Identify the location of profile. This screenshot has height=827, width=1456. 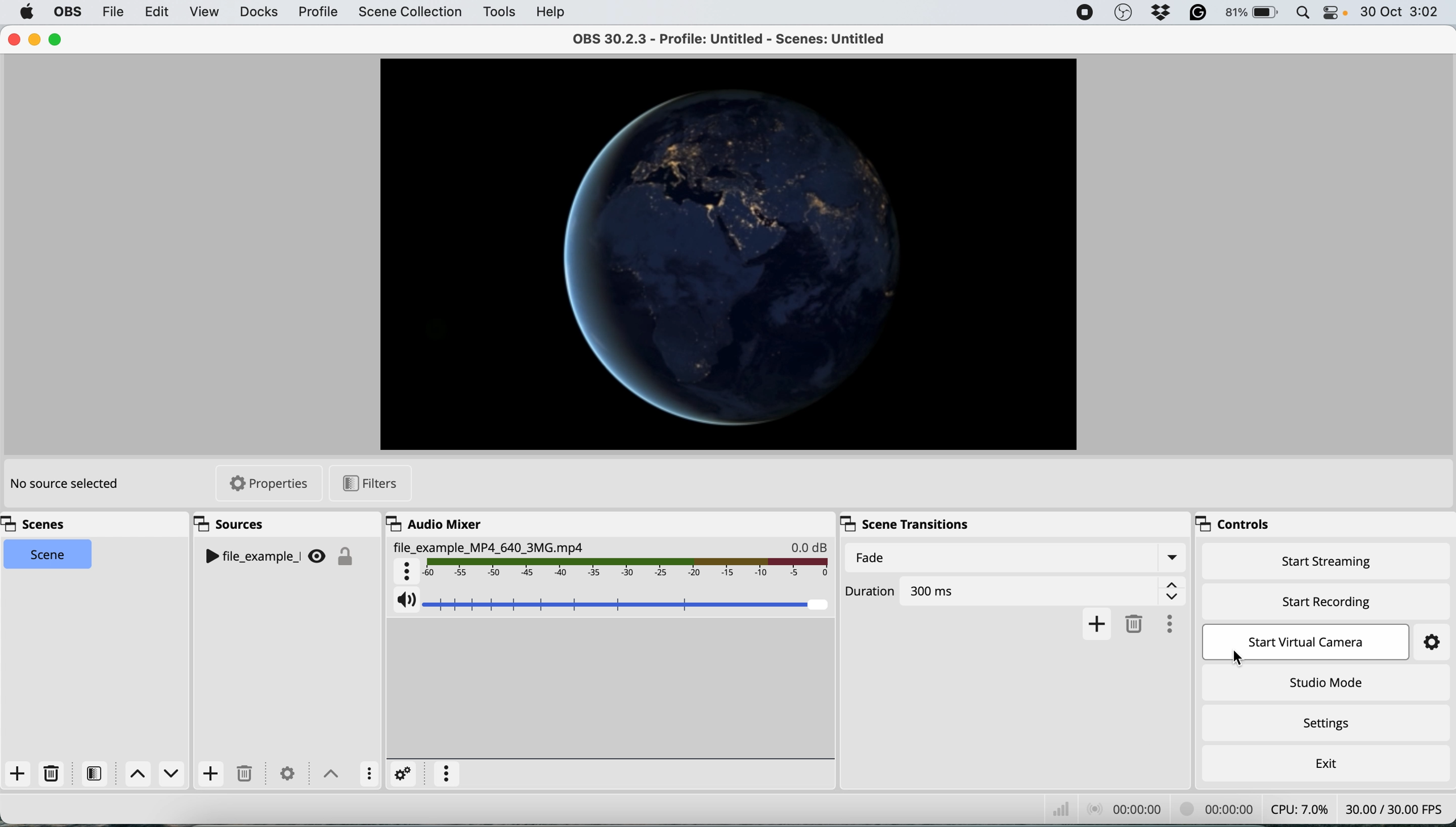
(318, 14).